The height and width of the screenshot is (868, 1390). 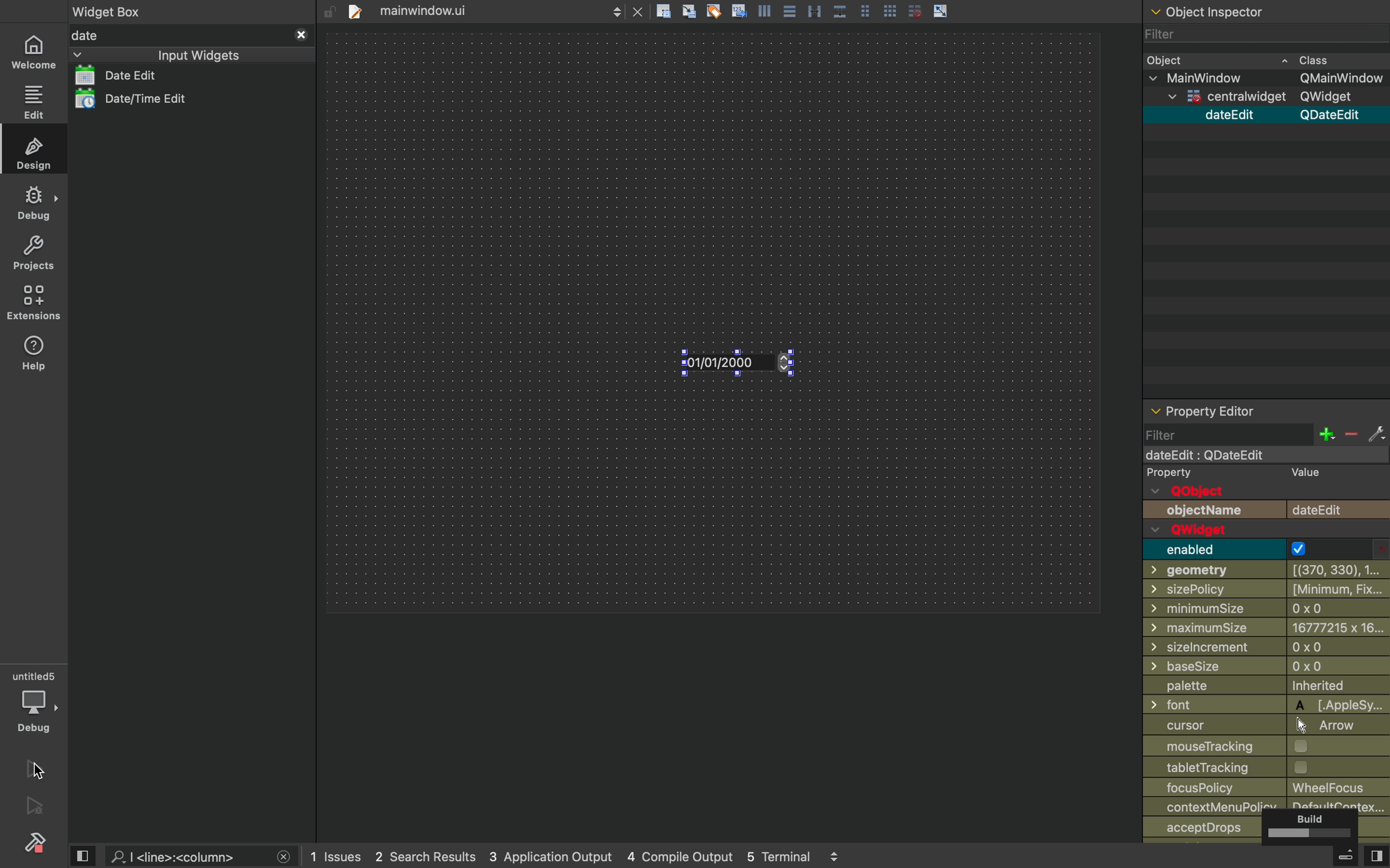 What do you see at coordinates (1351, 433) in the screenshot?
I see `minus` at bounding box center [1351, 433].